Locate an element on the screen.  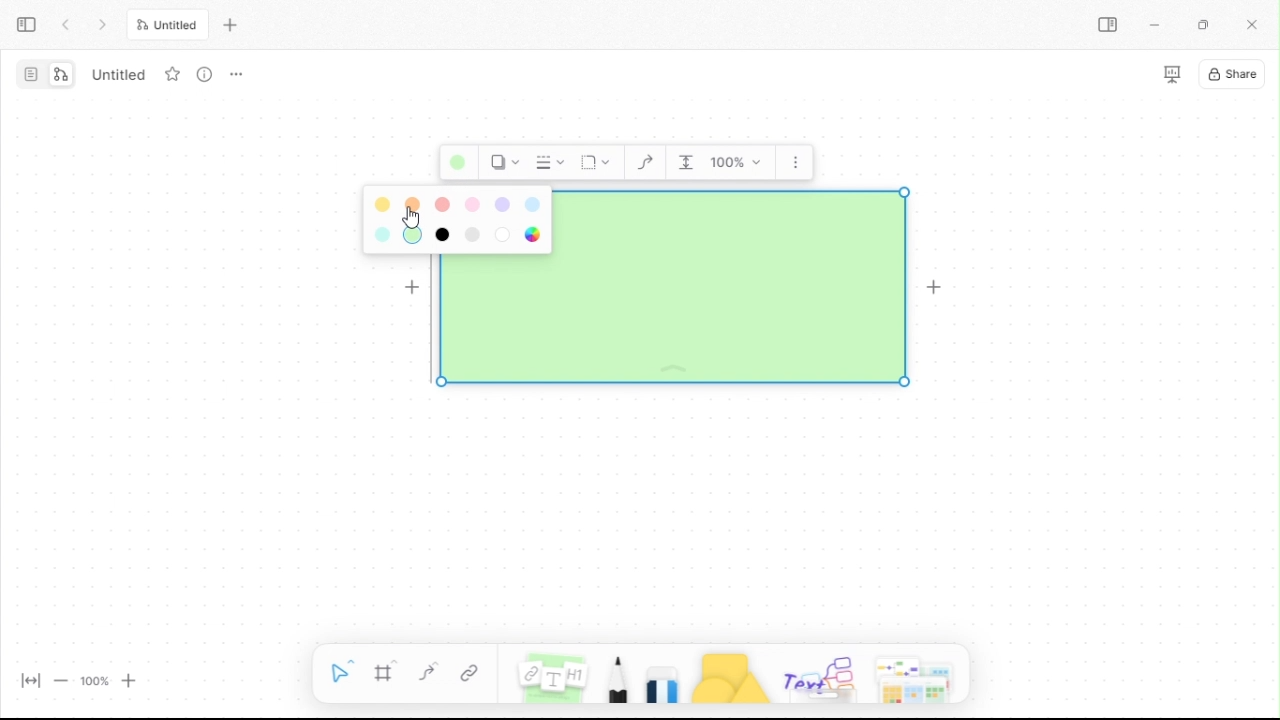
shapes is located at coordinates (730, 676).